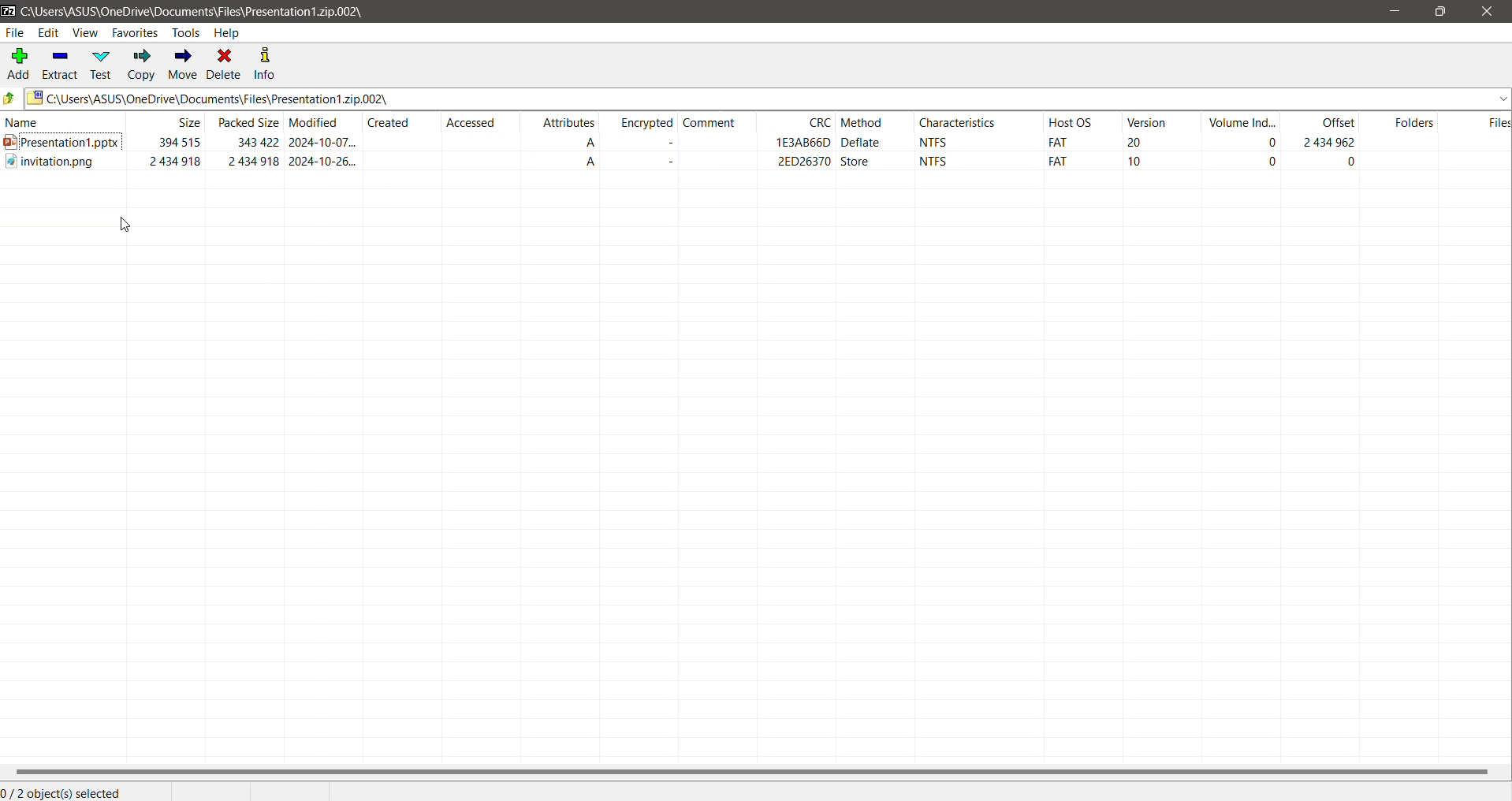 The height and width of the screenshot is (801, 1512). Describe the element at coordinates (402, 123) in the screenshot. I see `Created ` at that location.